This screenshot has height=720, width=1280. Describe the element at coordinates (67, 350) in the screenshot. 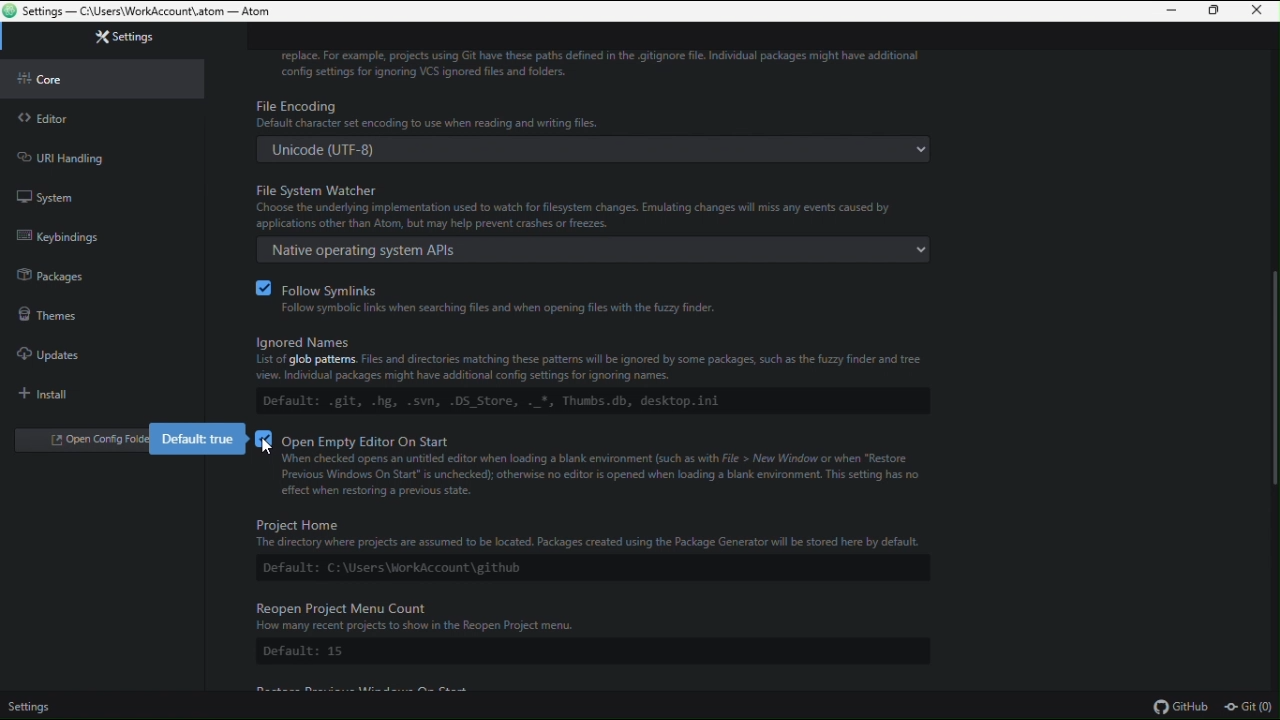

I see `Updates` at that location.